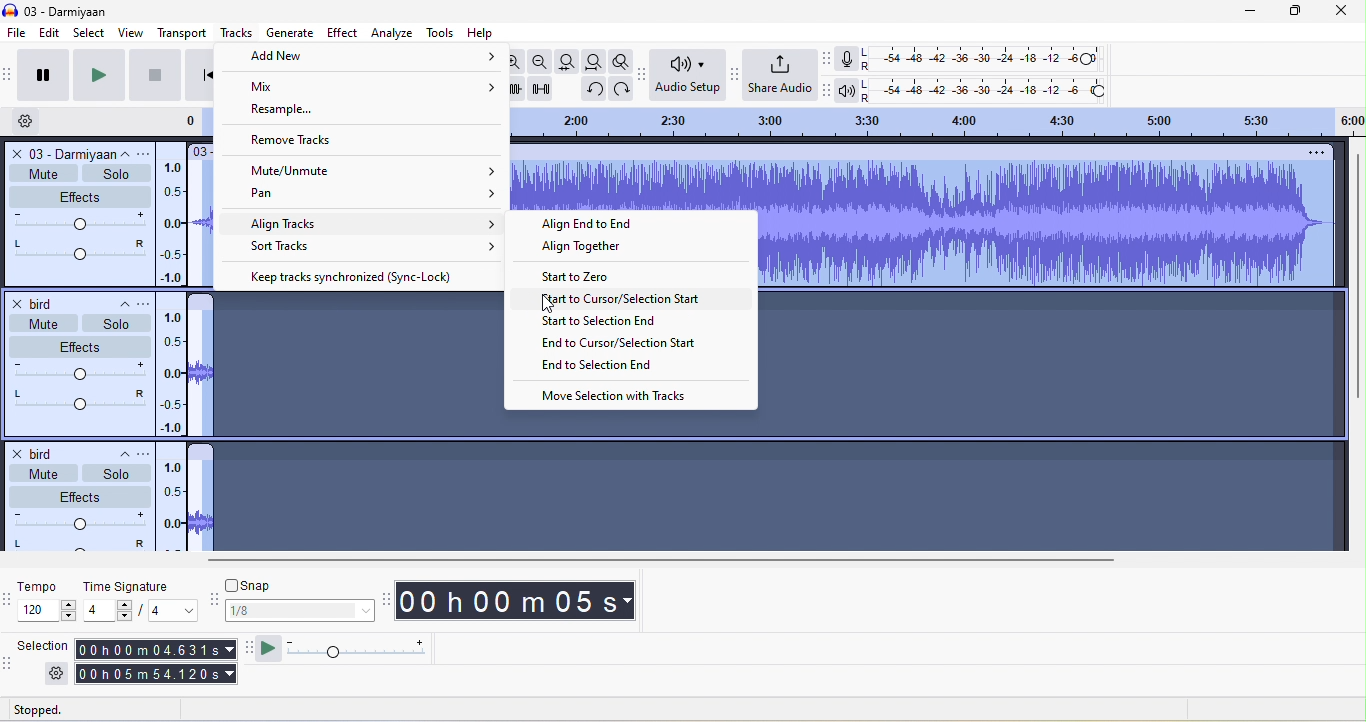 Image resolution: width=1366 pixels, height=722 pixels. Describe the element at coordinates (1290, 11) in the screenshot. I see `maximize` at that location.